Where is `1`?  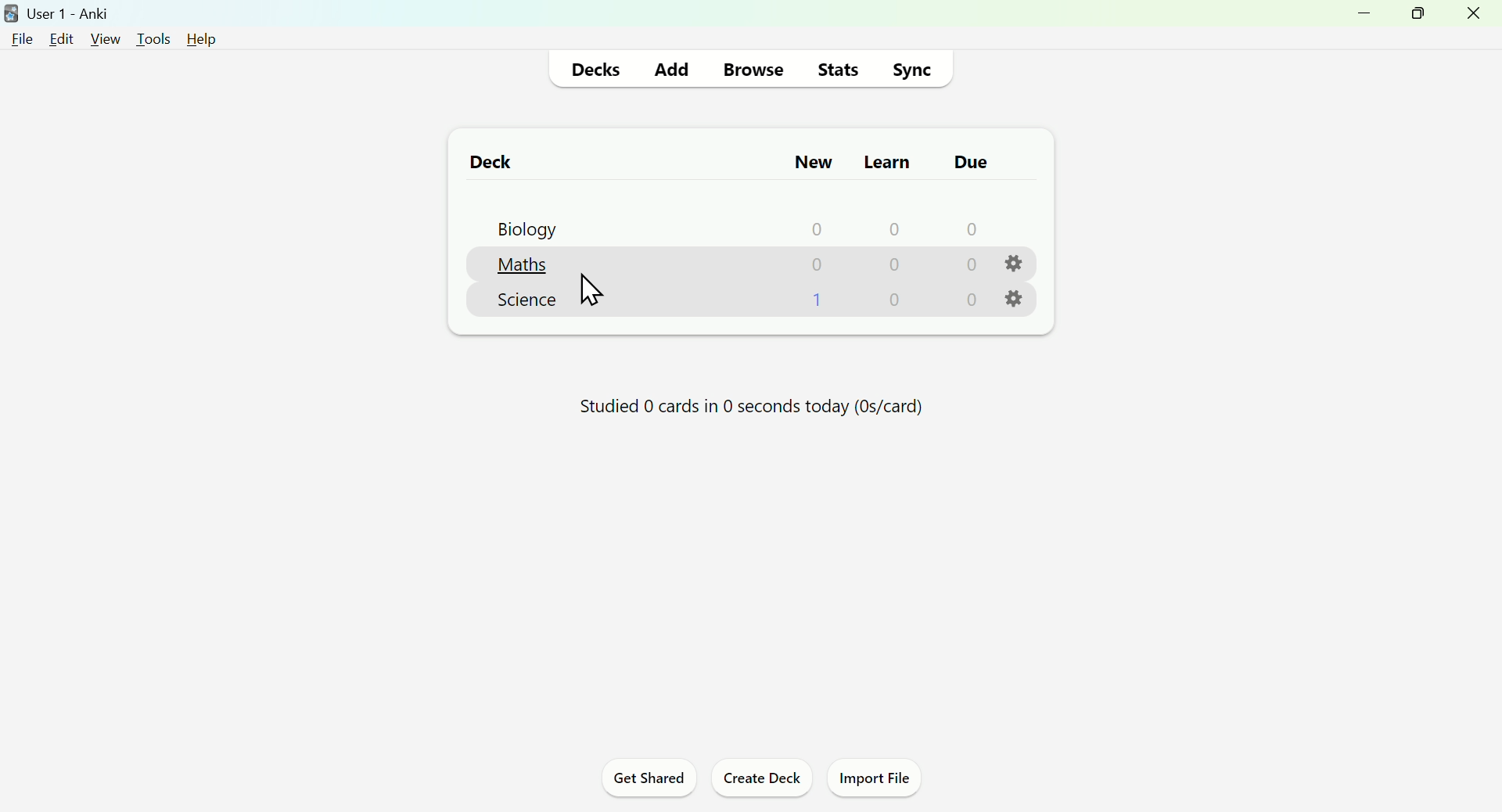
1 is located at coordinates (820, 299).